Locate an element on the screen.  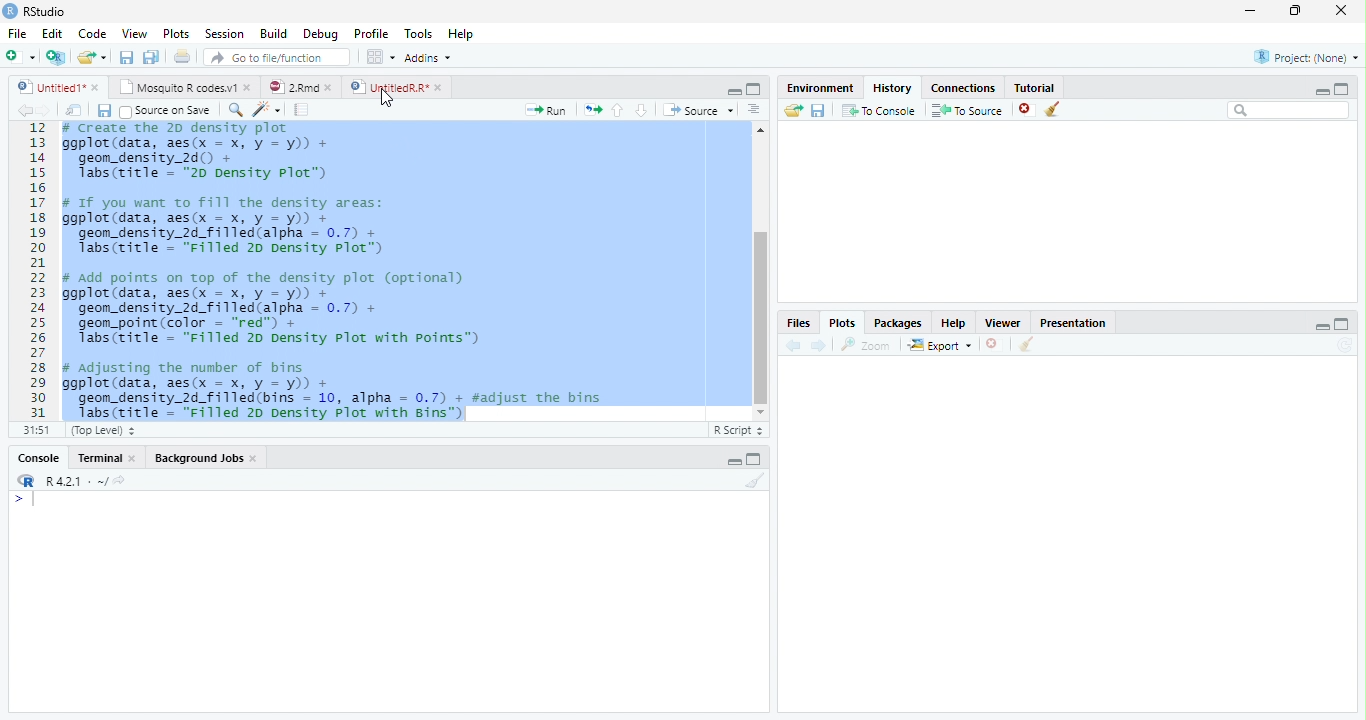
Refresh is located at coordinates (1348, 345).